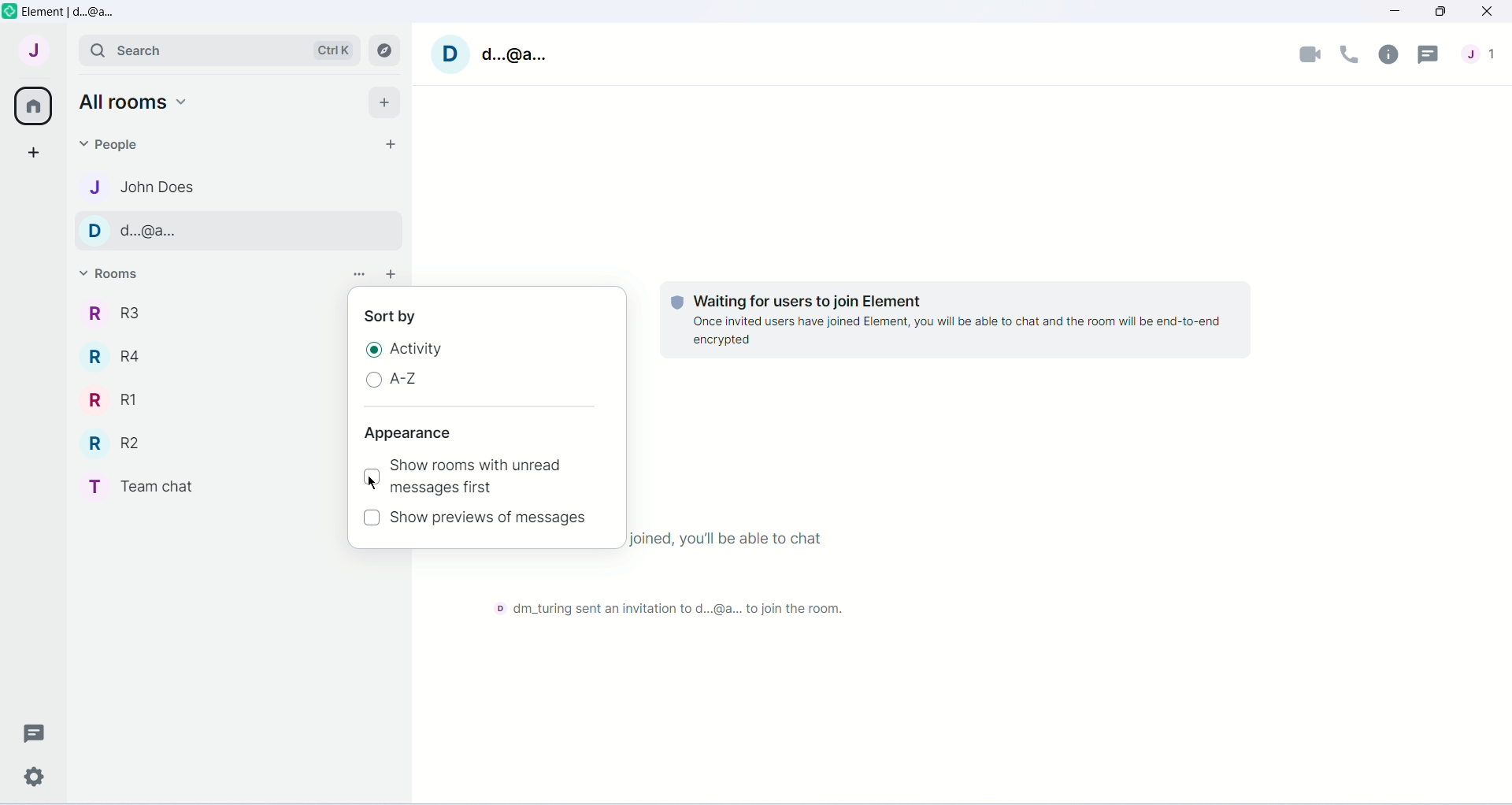  What do you see at coordinates (492, 518) in the screenshot?
I see `Show preview of messages` at bounding box center [492, 518].